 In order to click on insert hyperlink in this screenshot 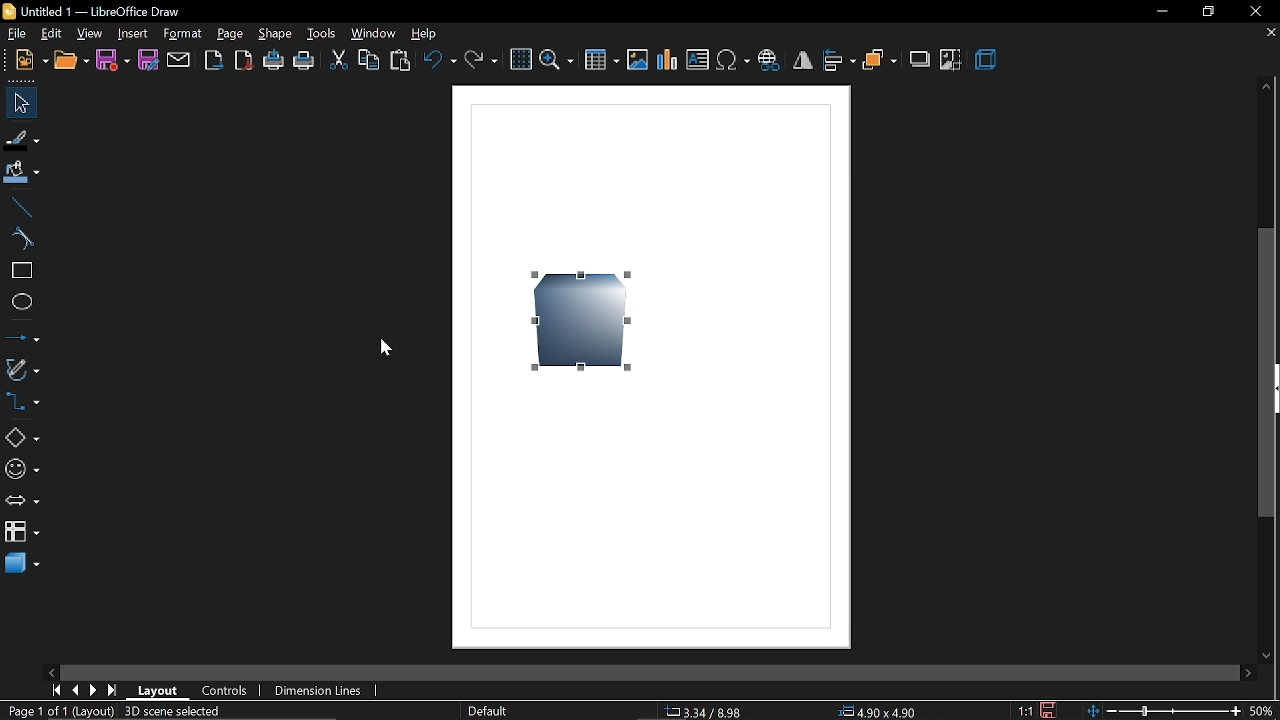, I will do `click(769, 62)`.